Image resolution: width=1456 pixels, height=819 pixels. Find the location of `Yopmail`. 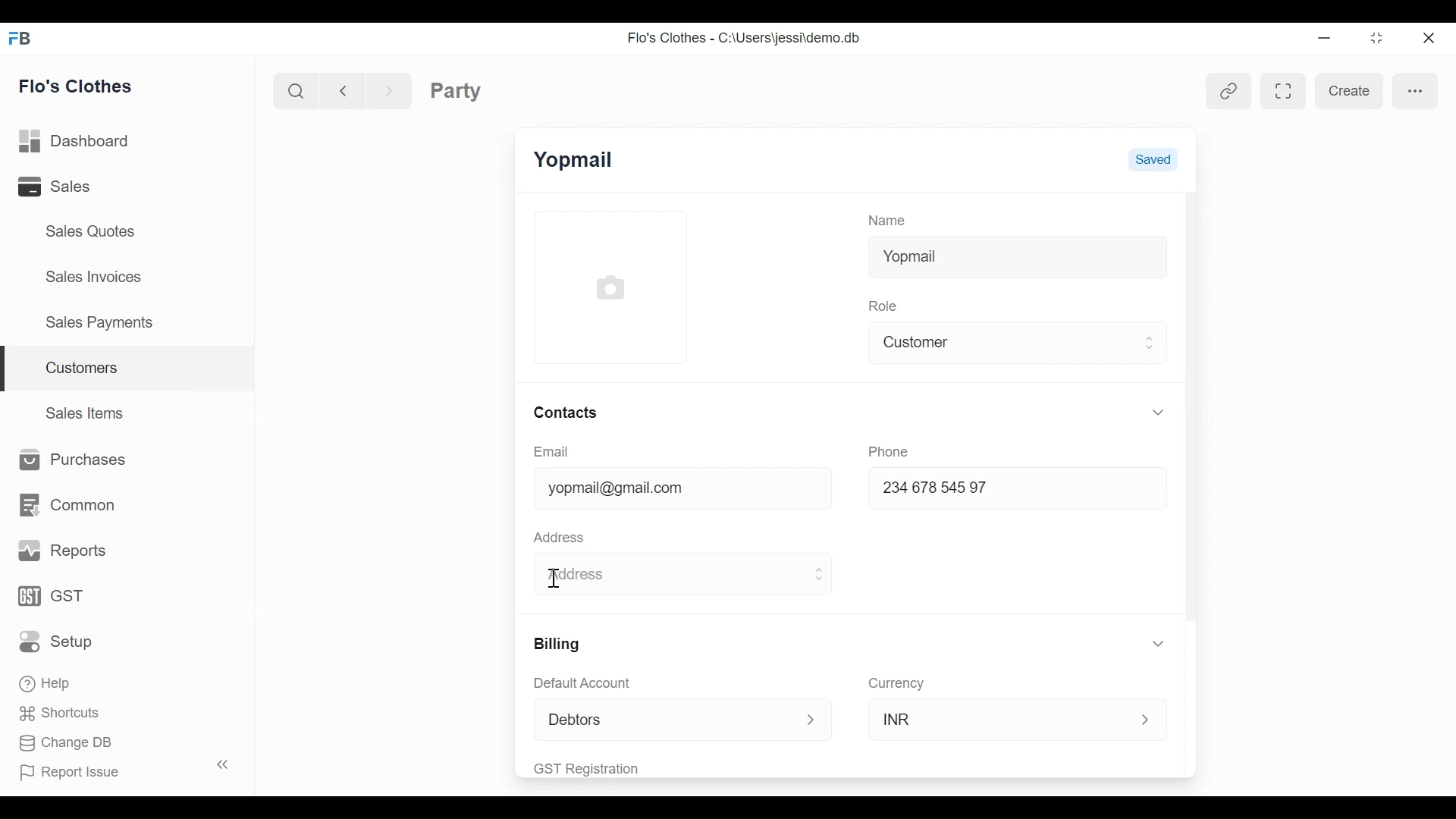

Yopmail is located at coordinates (1019, 257).